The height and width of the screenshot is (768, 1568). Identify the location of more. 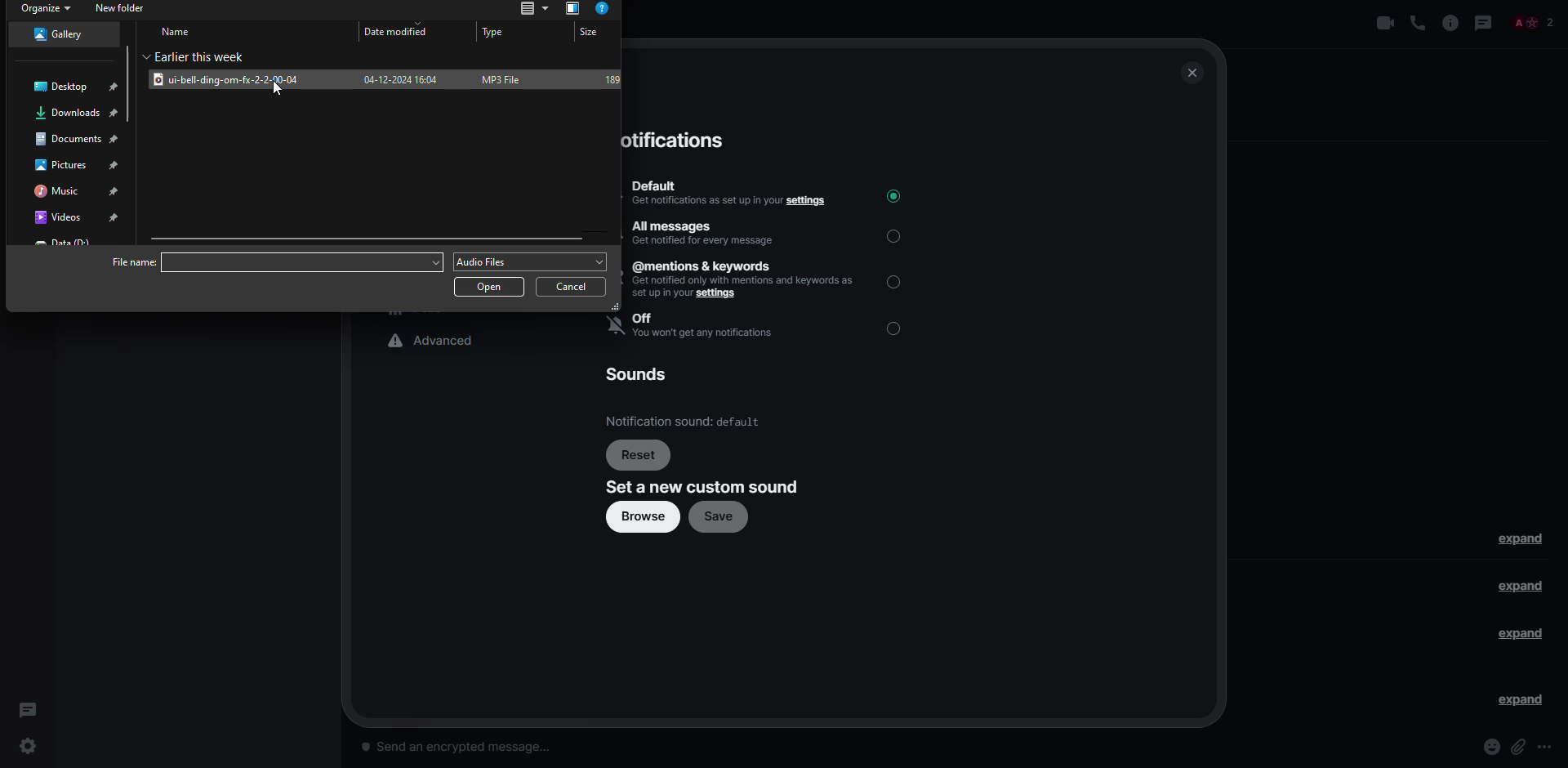
(1547, 748).